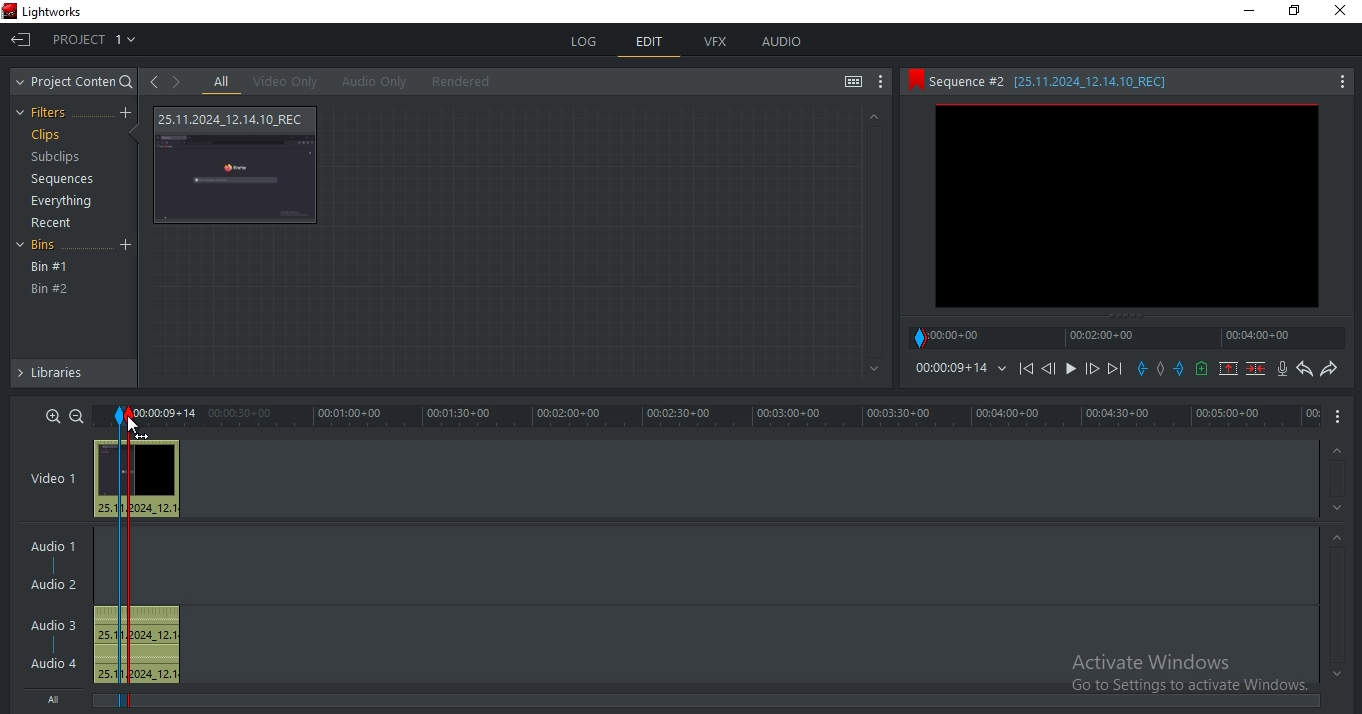 Image resolution: width=1362 pixels, height=714 pixels. What do you see at coordinates (222, 82) in the screenshot?
I see `all` at bounding box center [222, 82].